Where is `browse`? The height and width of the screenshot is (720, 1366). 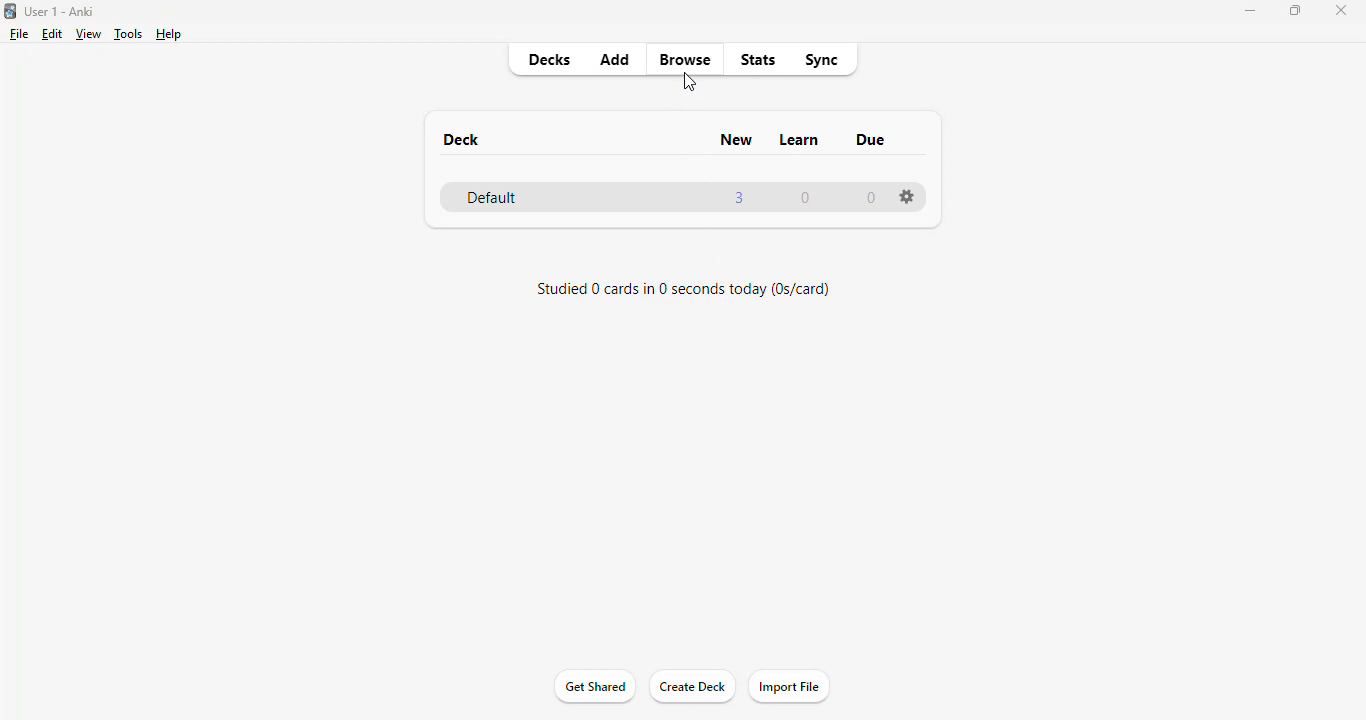 browse is located at coordinates (685, 59).